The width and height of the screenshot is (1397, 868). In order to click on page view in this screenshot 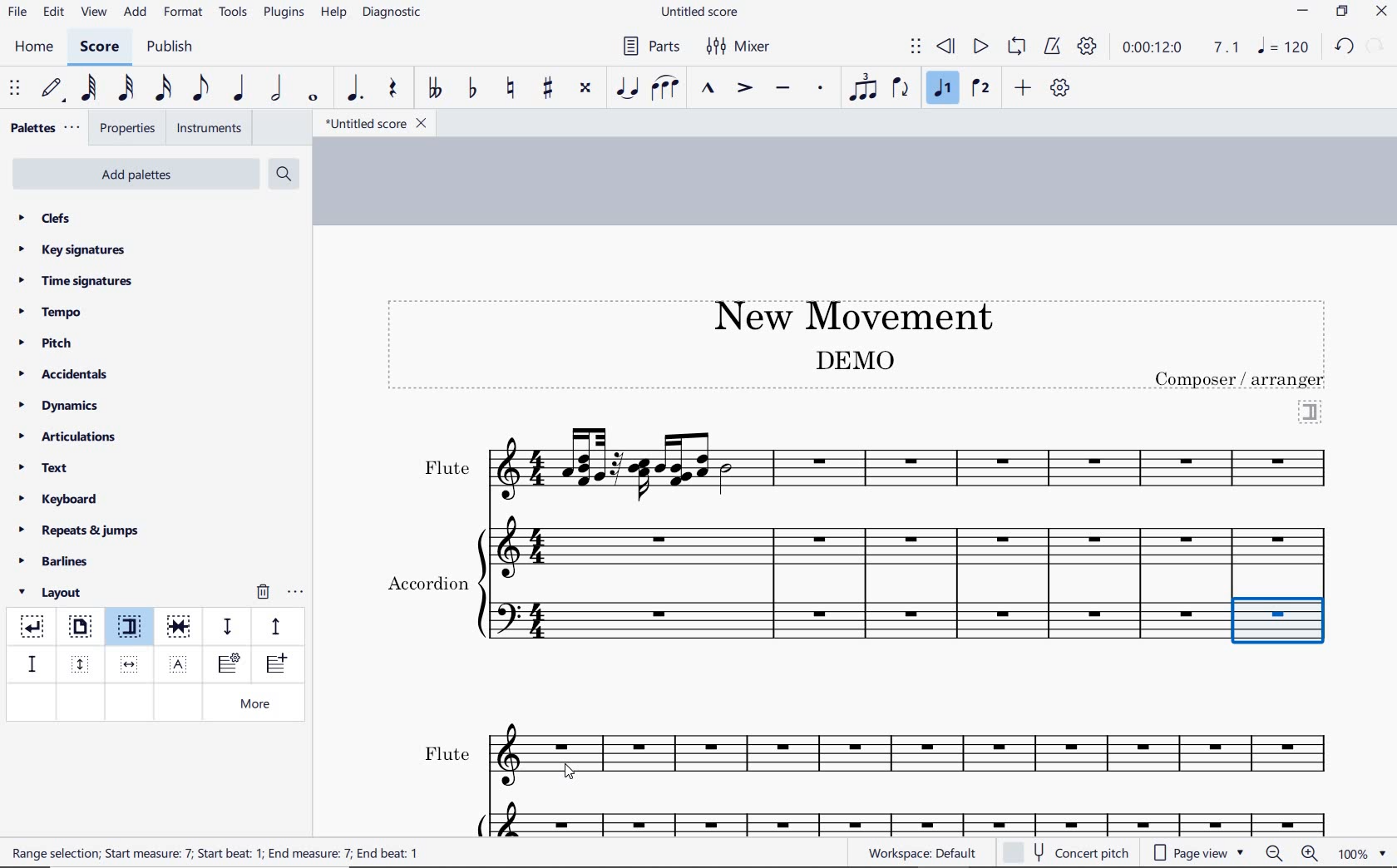, I will do `click(1199, 853)`.